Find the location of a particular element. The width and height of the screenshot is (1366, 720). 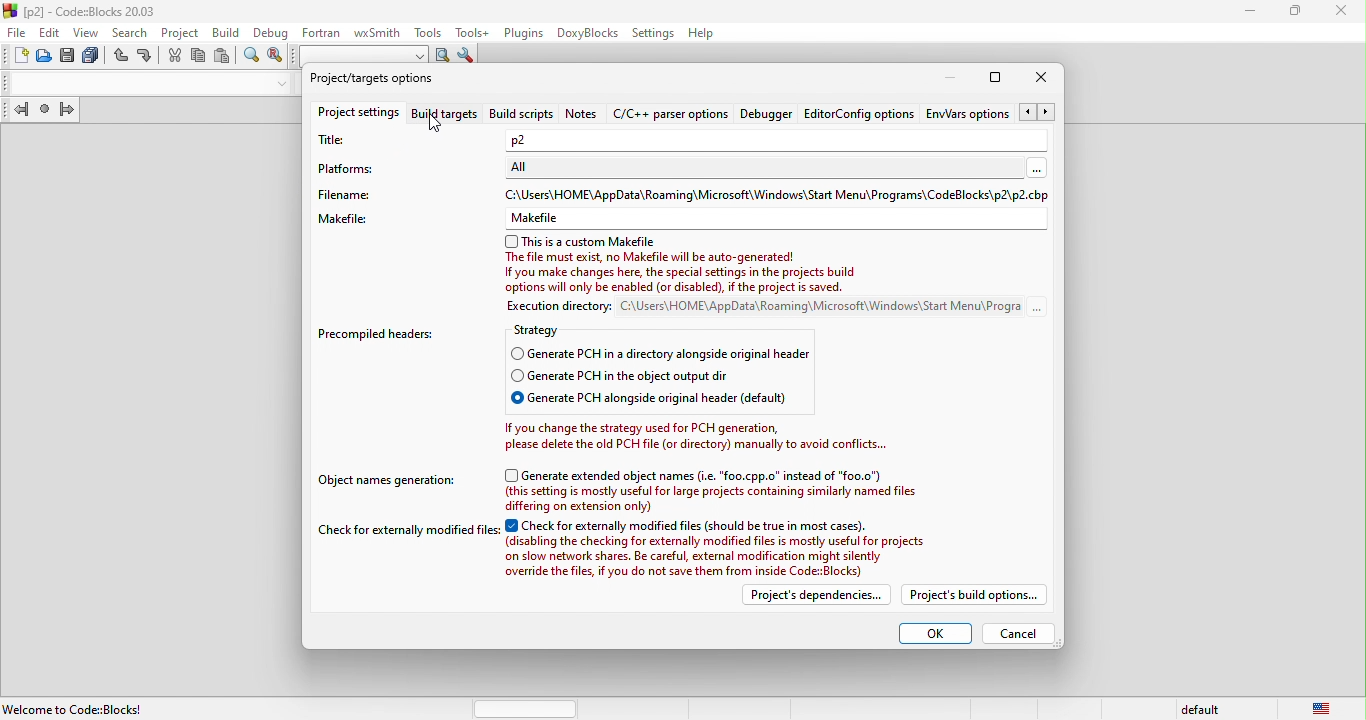

editor config option is located at coordinates (855, 115).